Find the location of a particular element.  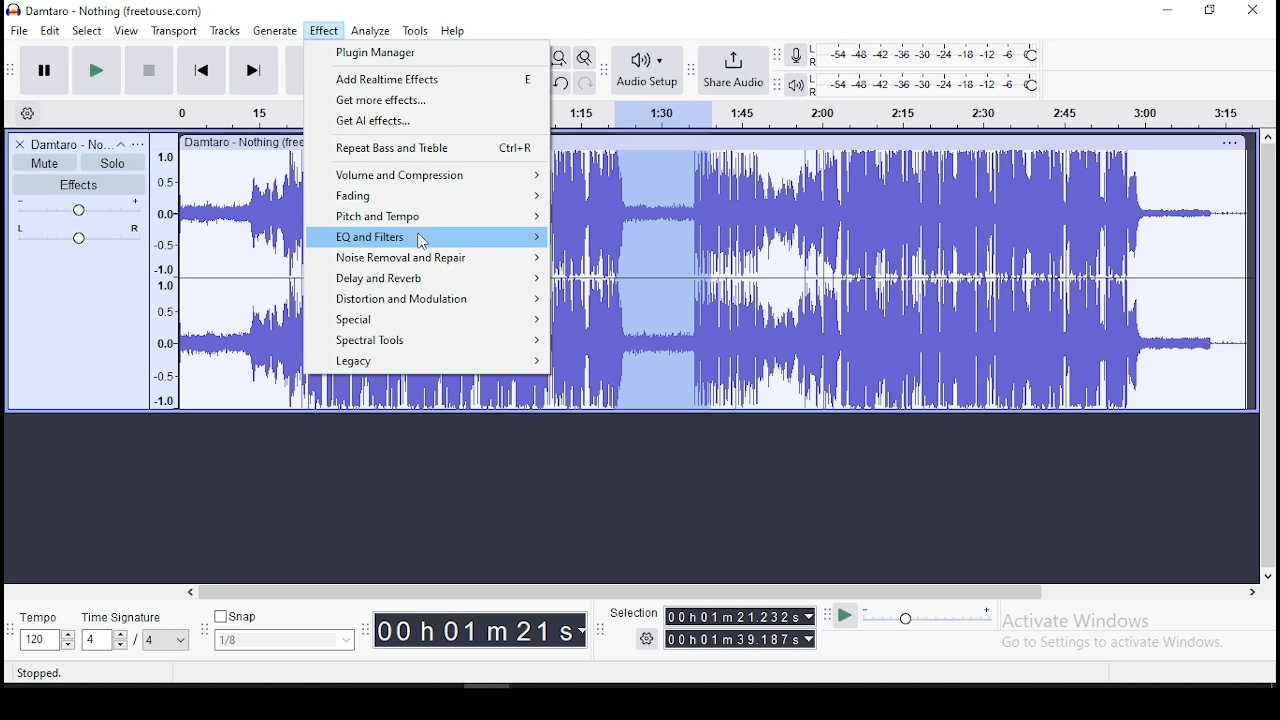

pan is located at coordinates (79, 234).